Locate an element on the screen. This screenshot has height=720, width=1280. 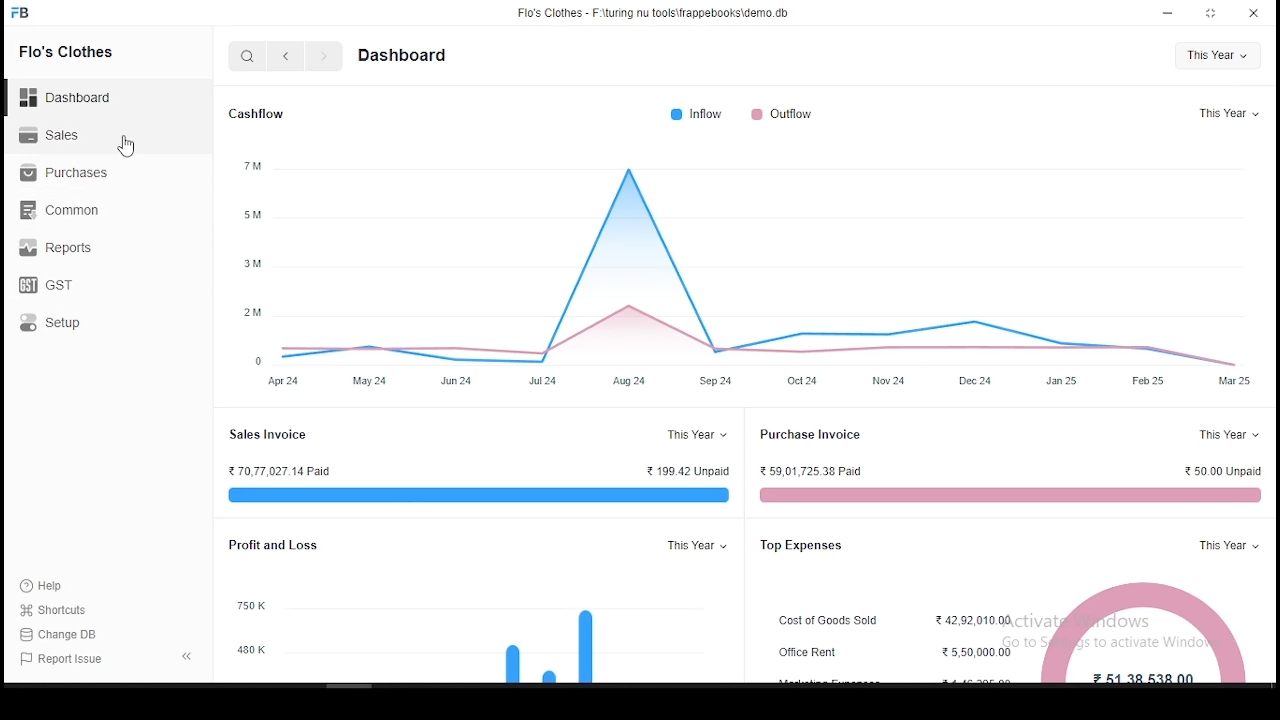
close is located at coordinates (1254, 12).